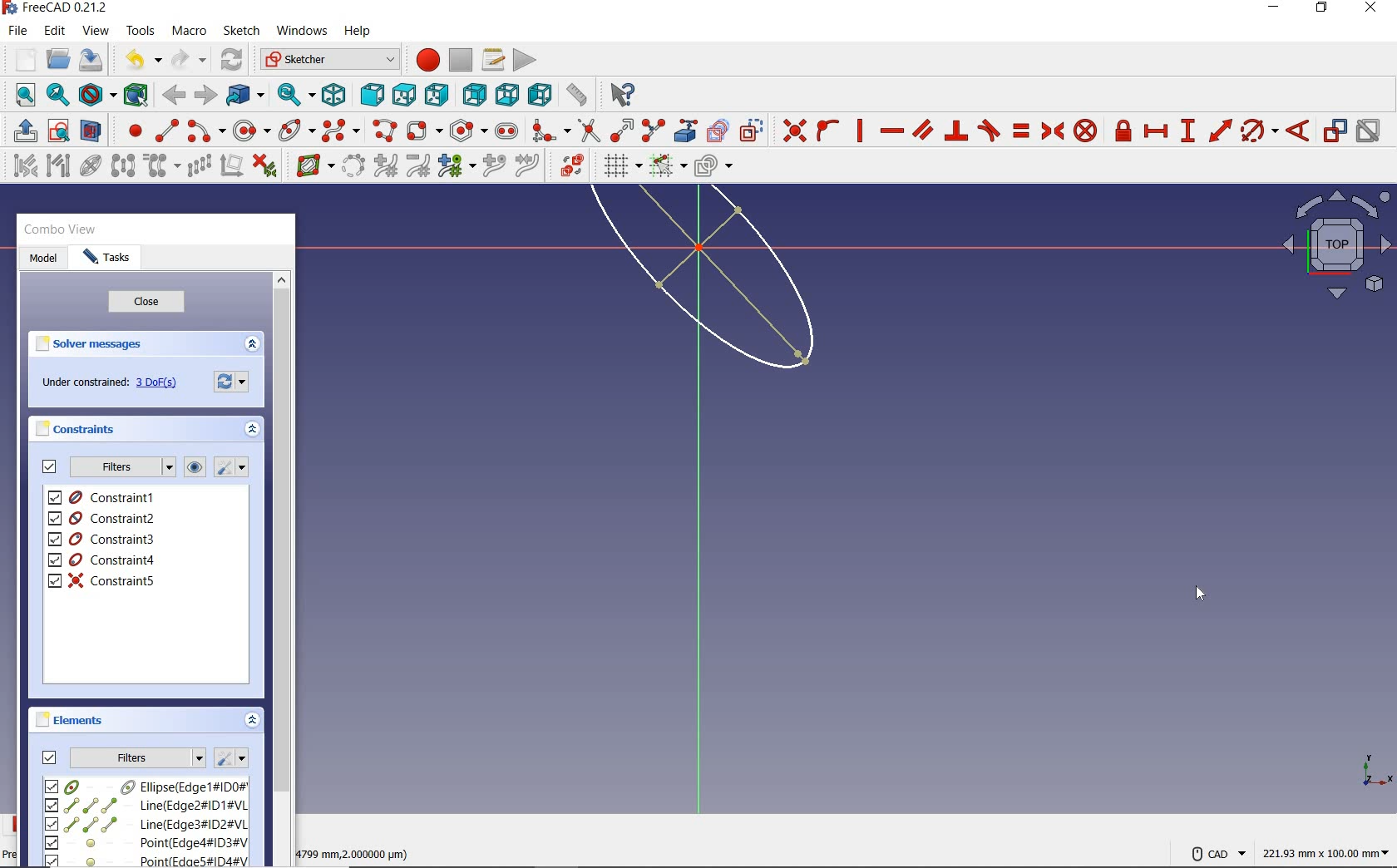  I want to click on element1, so click(144, 786).